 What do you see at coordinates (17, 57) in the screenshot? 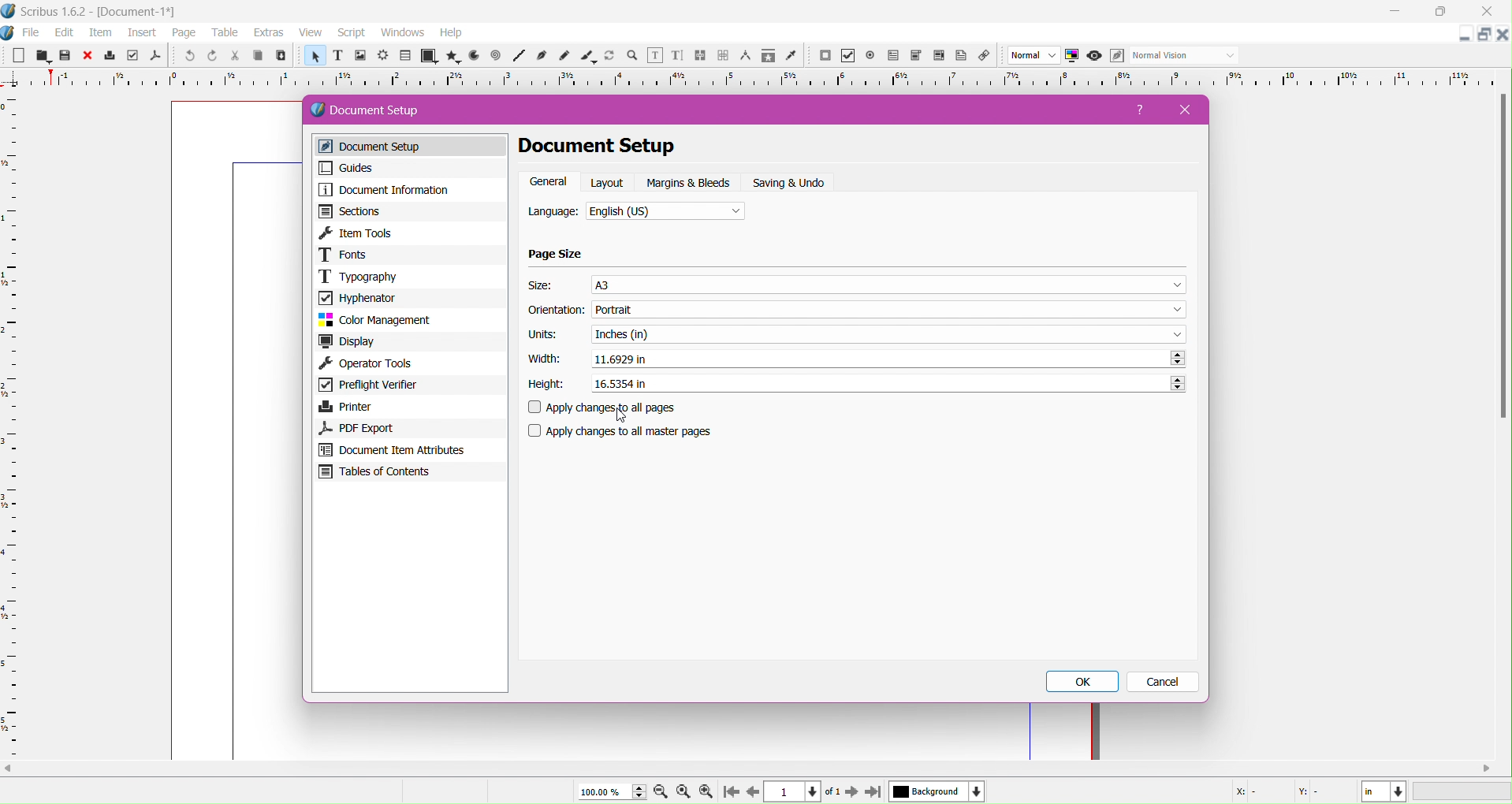
I see `new` at bounding box center [17, 57].